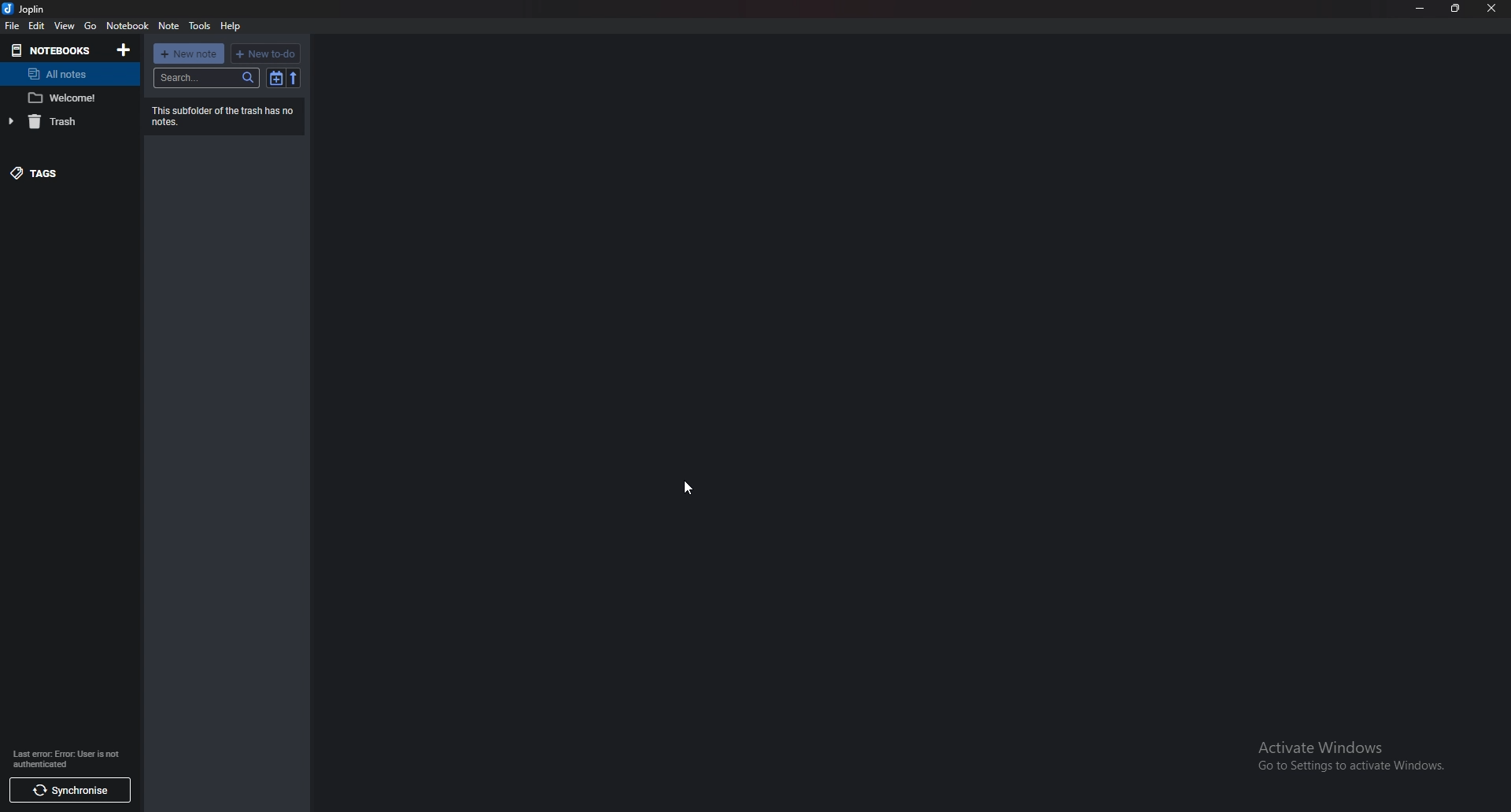  Describe the element at coordinates (1492, 8) in the screenshot. I see `close` at that location.